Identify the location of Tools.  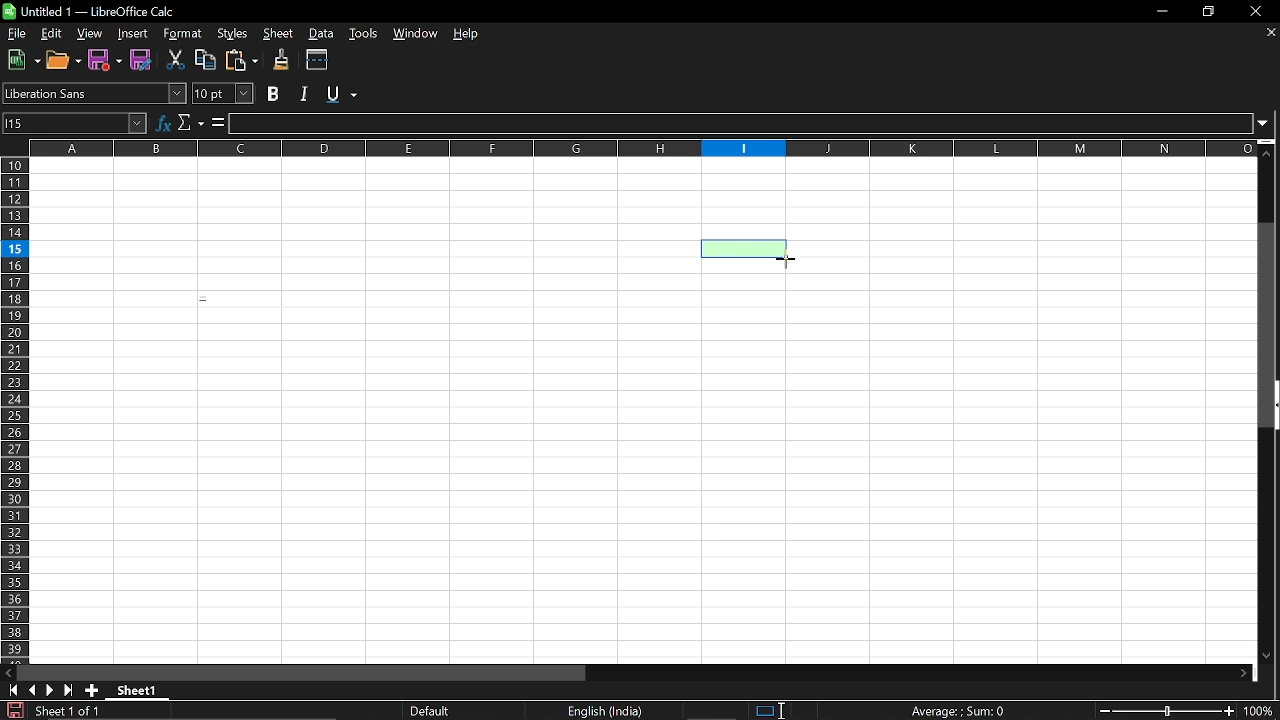
(366, 35).